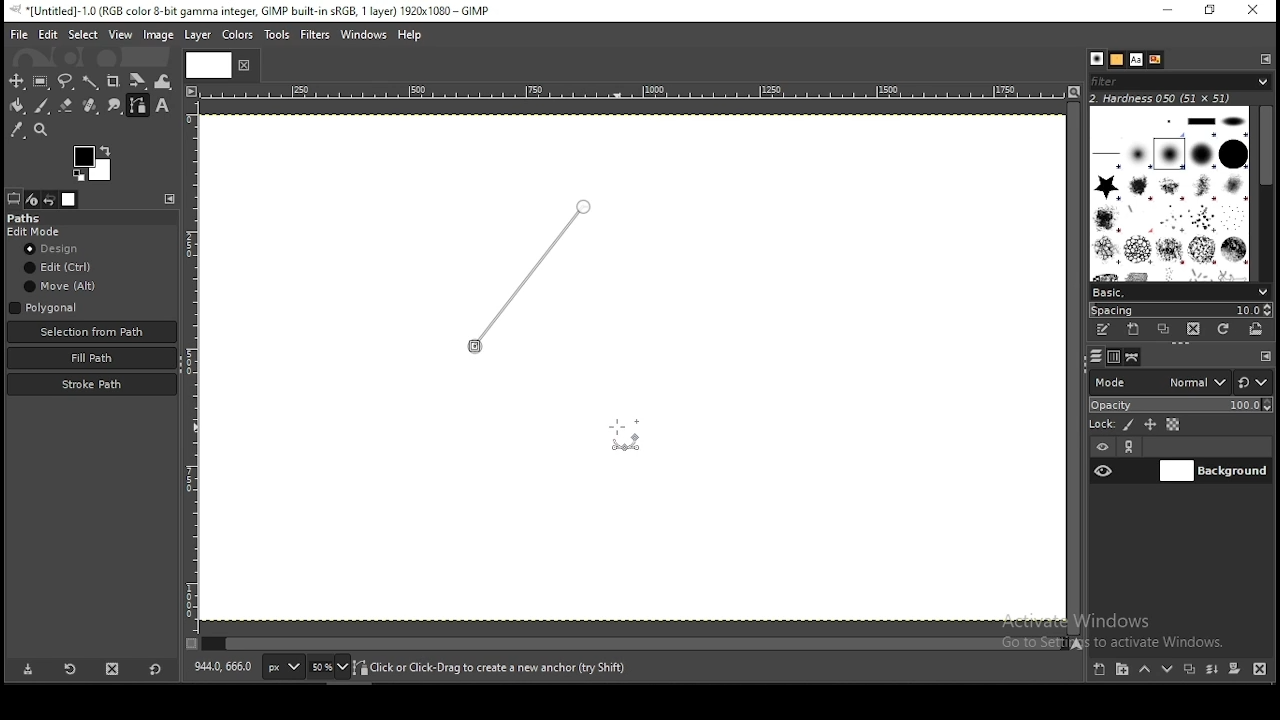 The image size is (1280, 720). I want to click on mouse pointer, so click(616, 432).